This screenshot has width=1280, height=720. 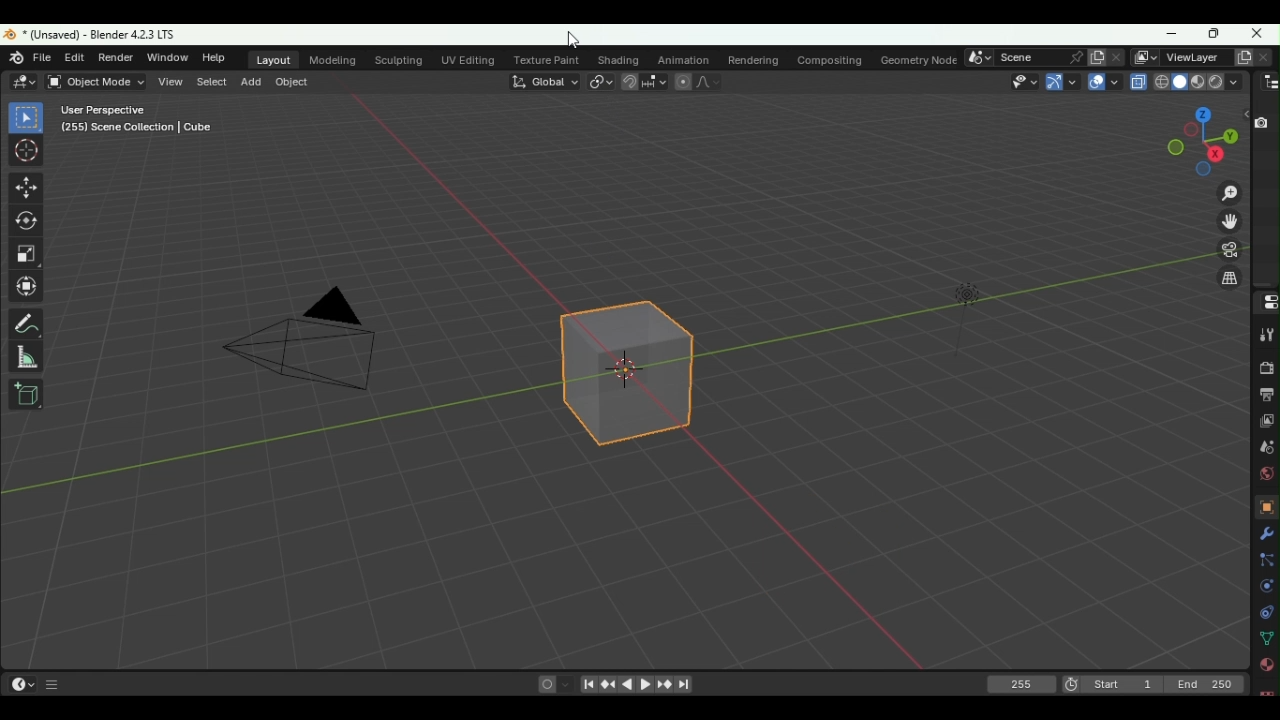 I want to click on Editor type, so click(x=21, y=81).